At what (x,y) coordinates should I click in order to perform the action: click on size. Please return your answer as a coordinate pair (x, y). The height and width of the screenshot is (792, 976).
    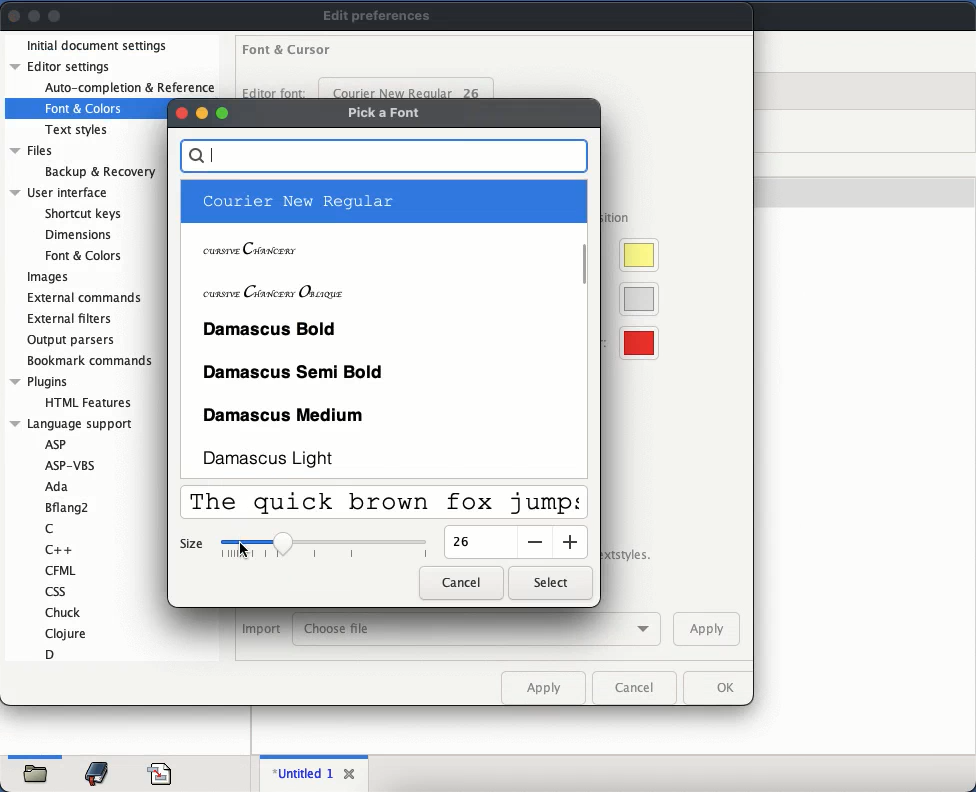
    Looking at the image, I should click on (194, 545).